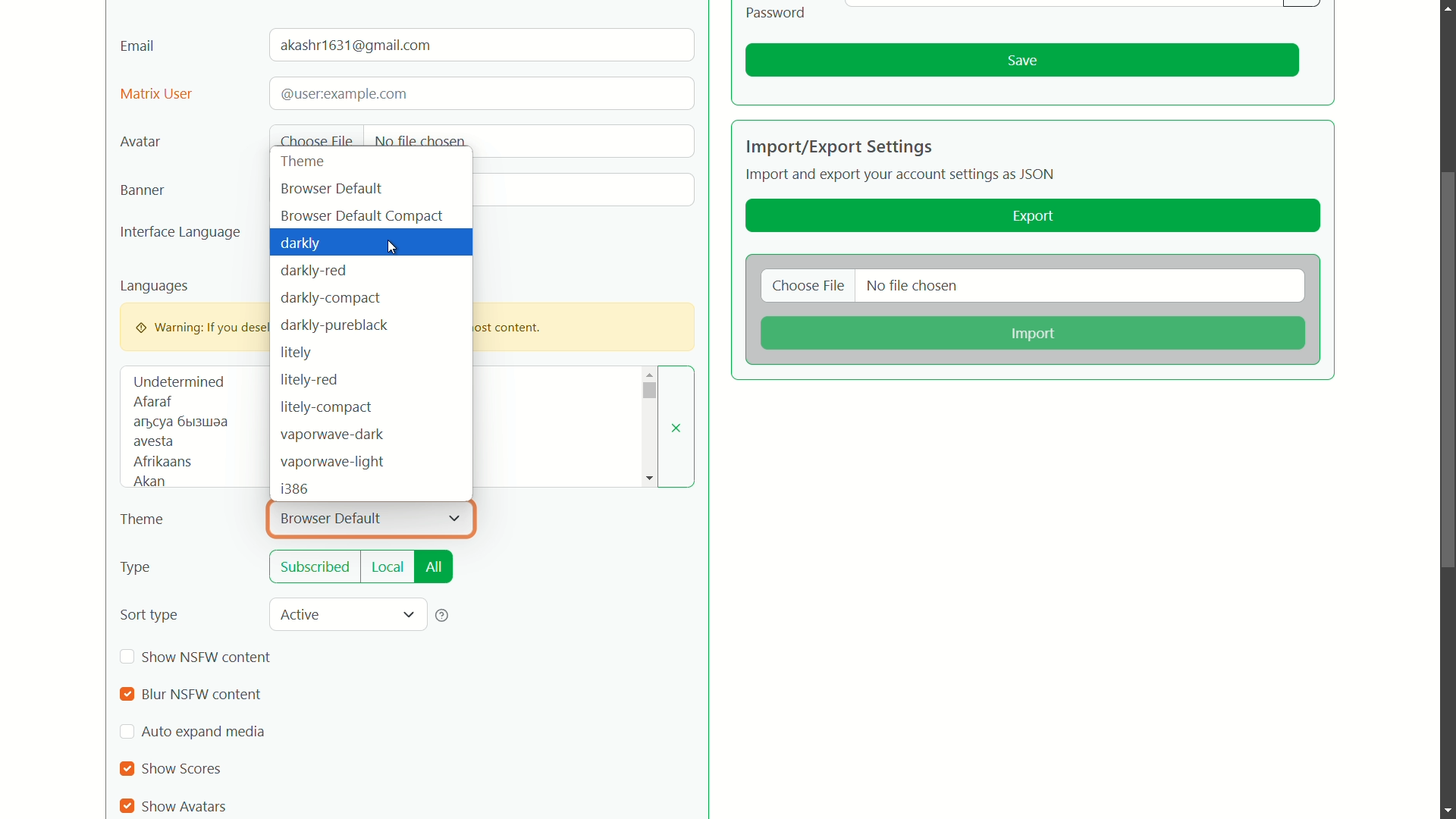 This screenshot has height=819, width=1456. Describe the element at coordinates (331, 297) in the screenshot. I see `darkly compact` at that location.